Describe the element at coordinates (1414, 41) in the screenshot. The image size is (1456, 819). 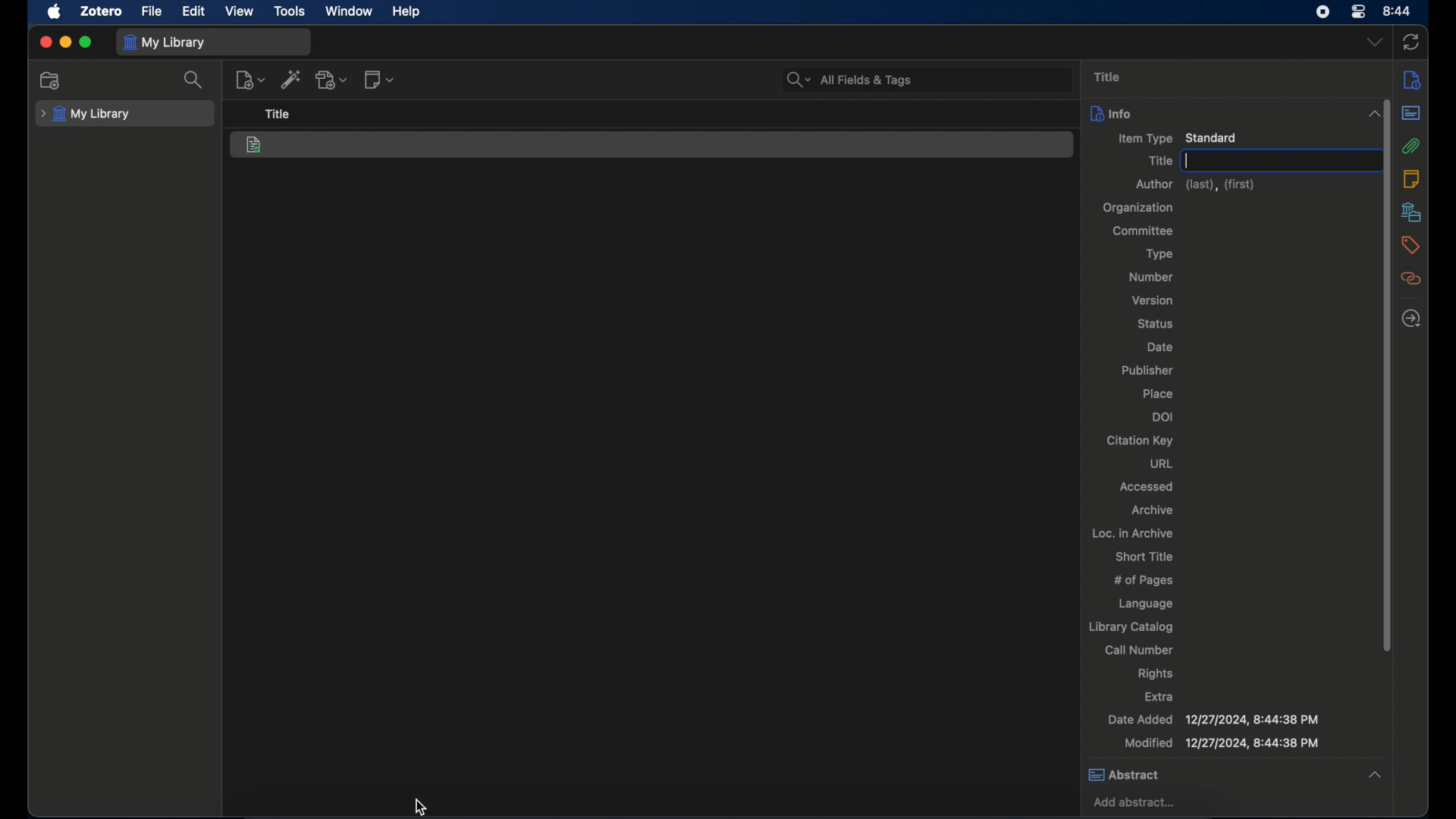
I see `sync` at that location.